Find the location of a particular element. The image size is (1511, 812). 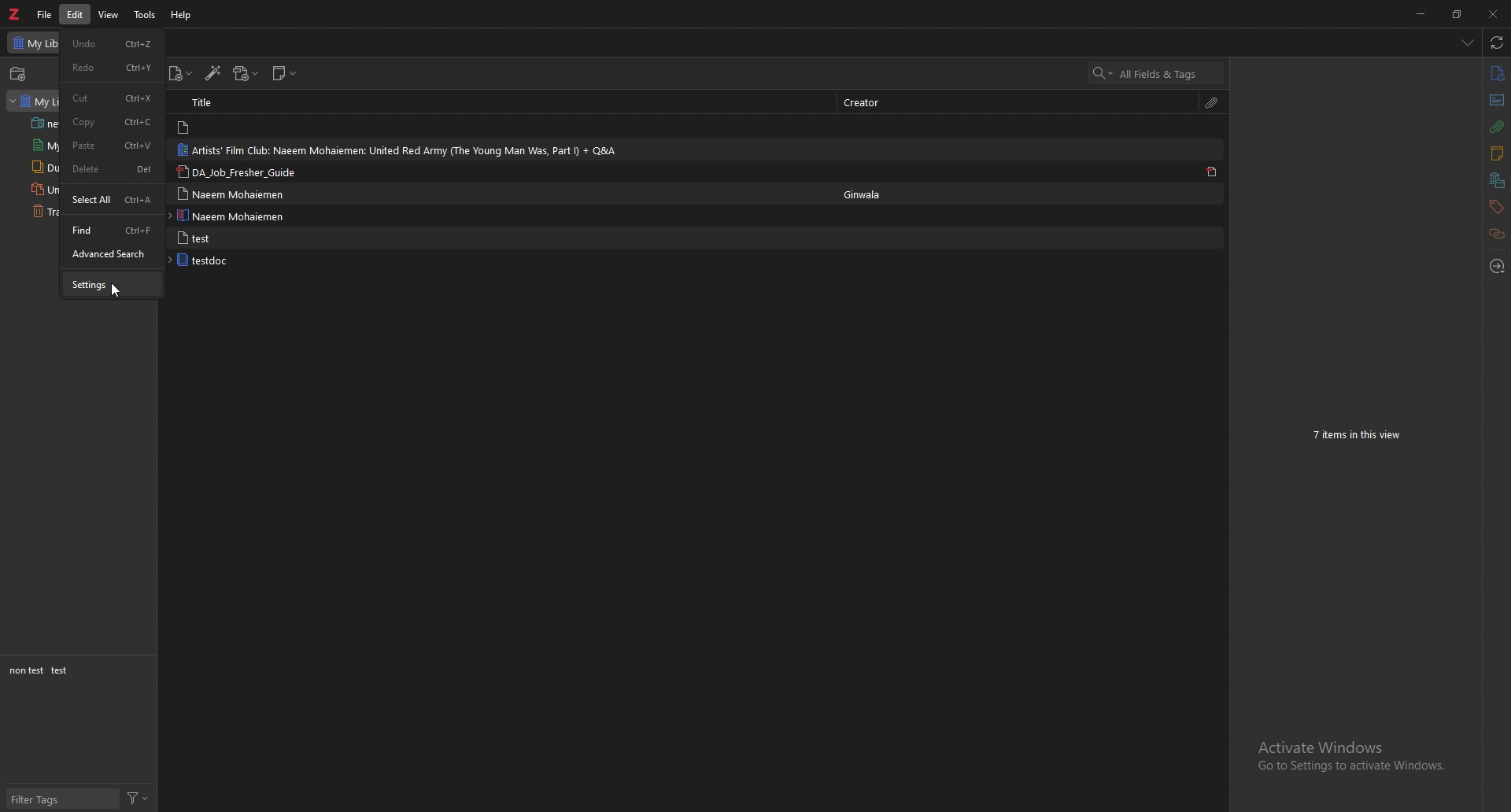

redo is located at coordinates (113, 67).